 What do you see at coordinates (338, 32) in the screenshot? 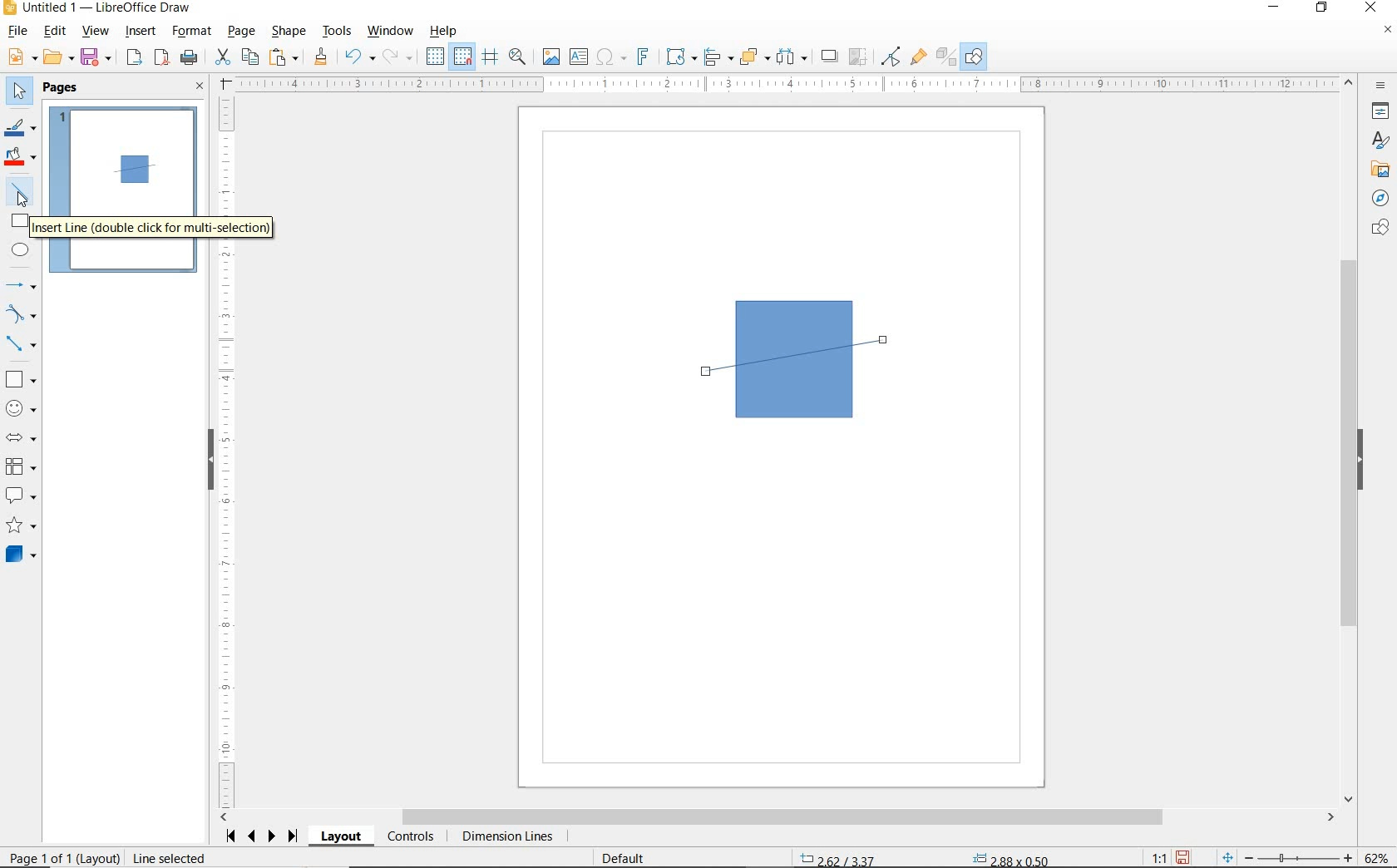
I see `TOOLS` at bounding box center [338, 32].